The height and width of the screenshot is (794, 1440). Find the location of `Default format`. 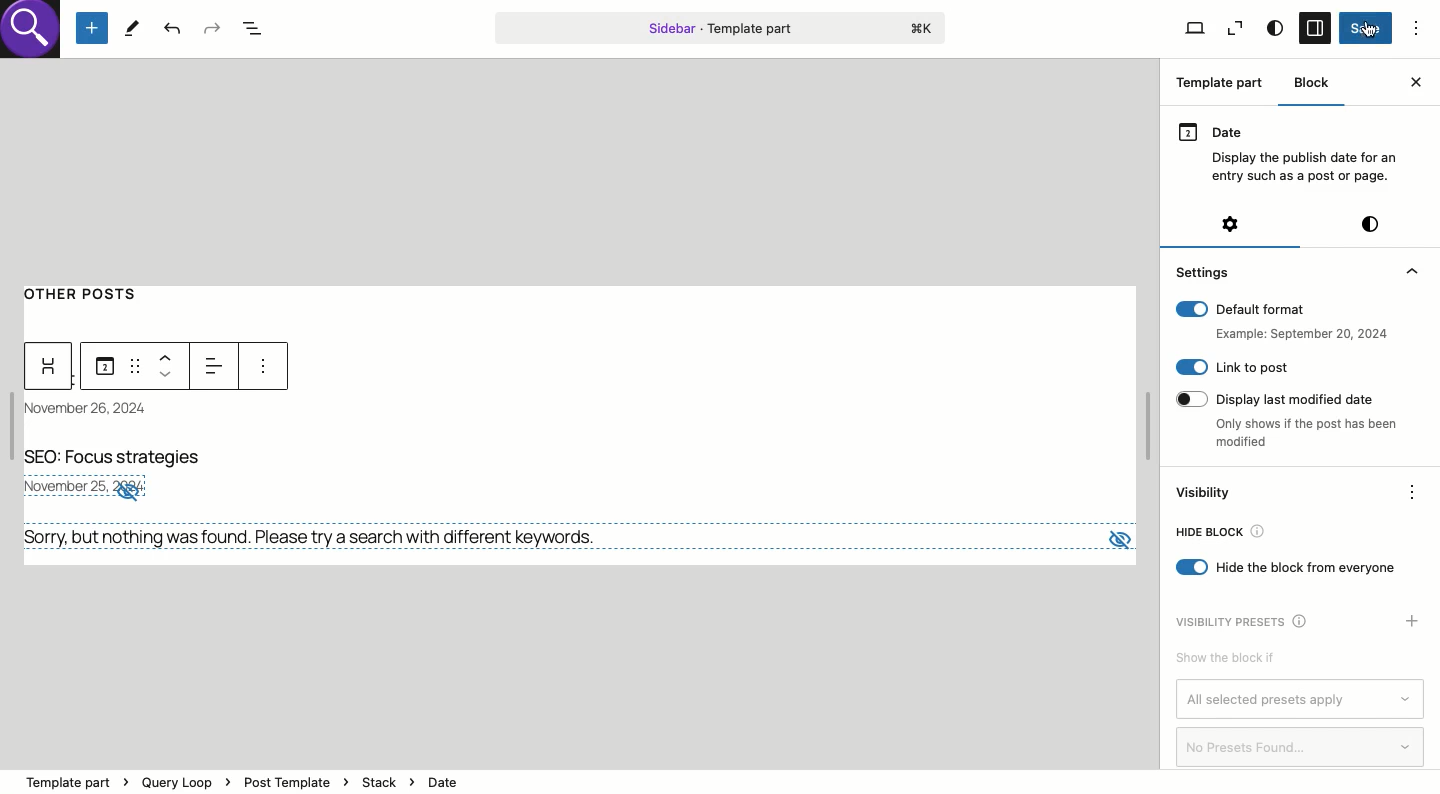

Default format is located at coordinates (1281, 309).